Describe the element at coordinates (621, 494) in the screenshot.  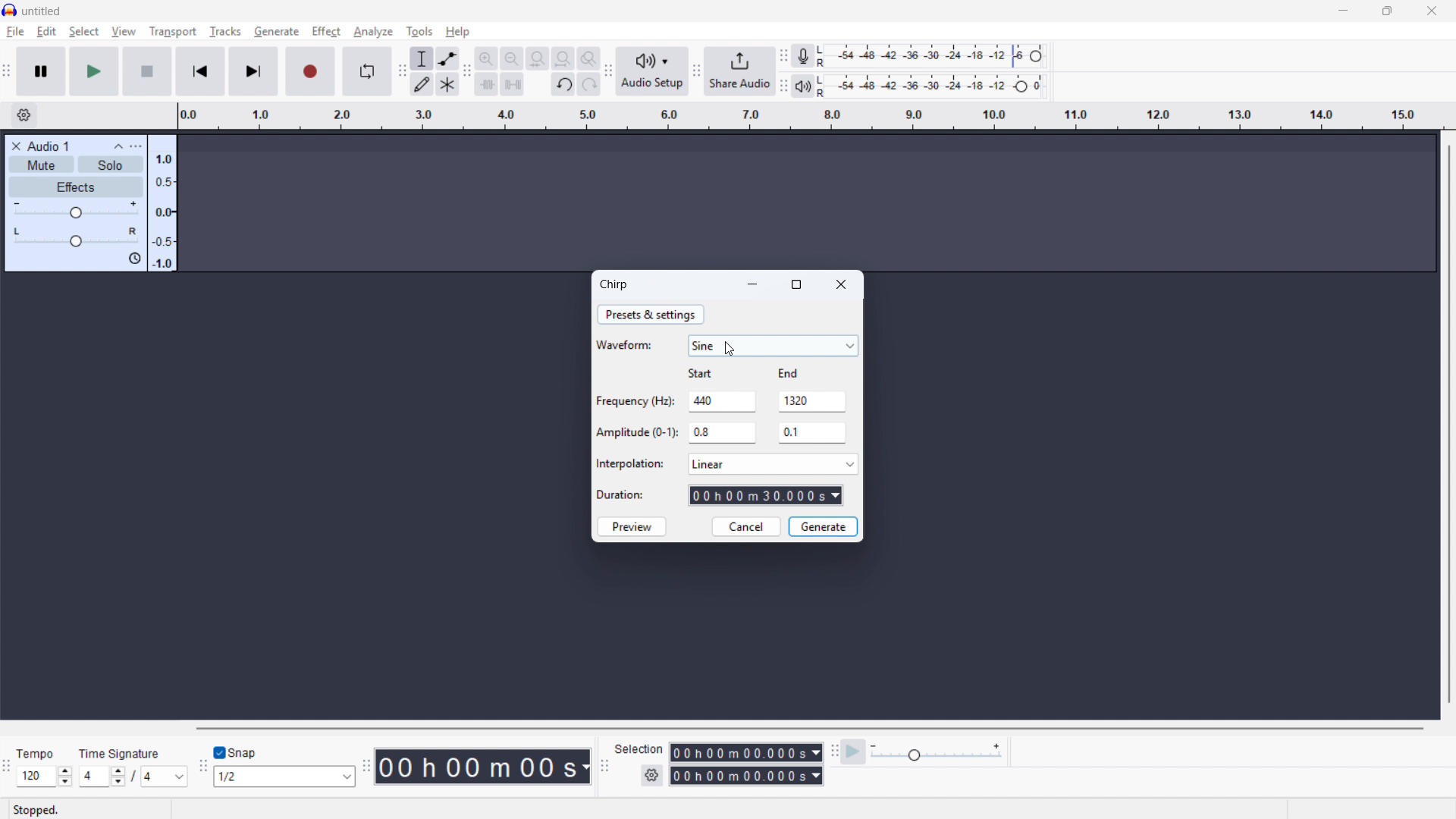
I see `Duration` at that location.